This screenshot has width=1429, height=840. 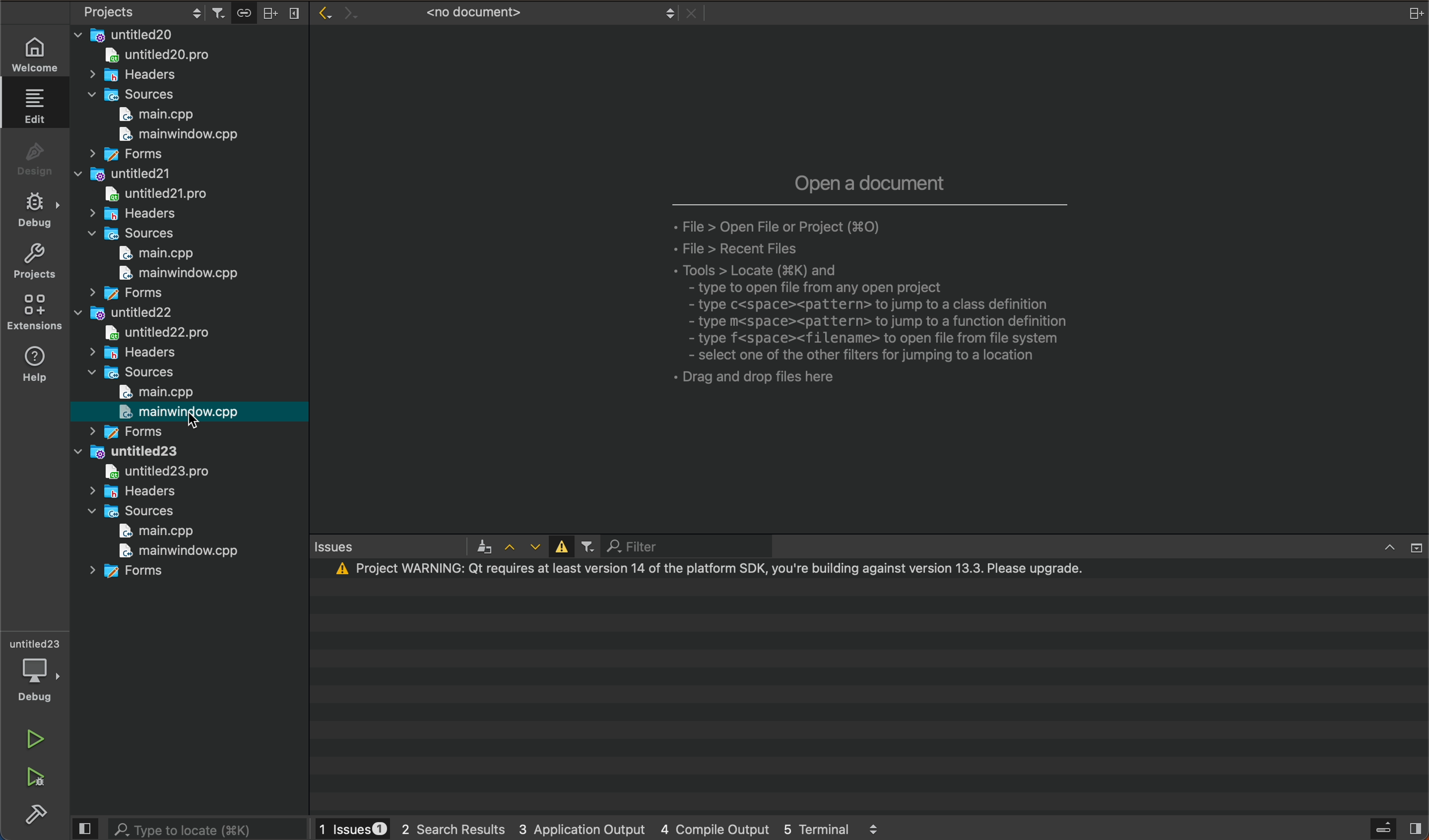 What do you see at coordinates (130, 452) in the screenshot?
I see `untitled23` at bounding box center [130, 452].